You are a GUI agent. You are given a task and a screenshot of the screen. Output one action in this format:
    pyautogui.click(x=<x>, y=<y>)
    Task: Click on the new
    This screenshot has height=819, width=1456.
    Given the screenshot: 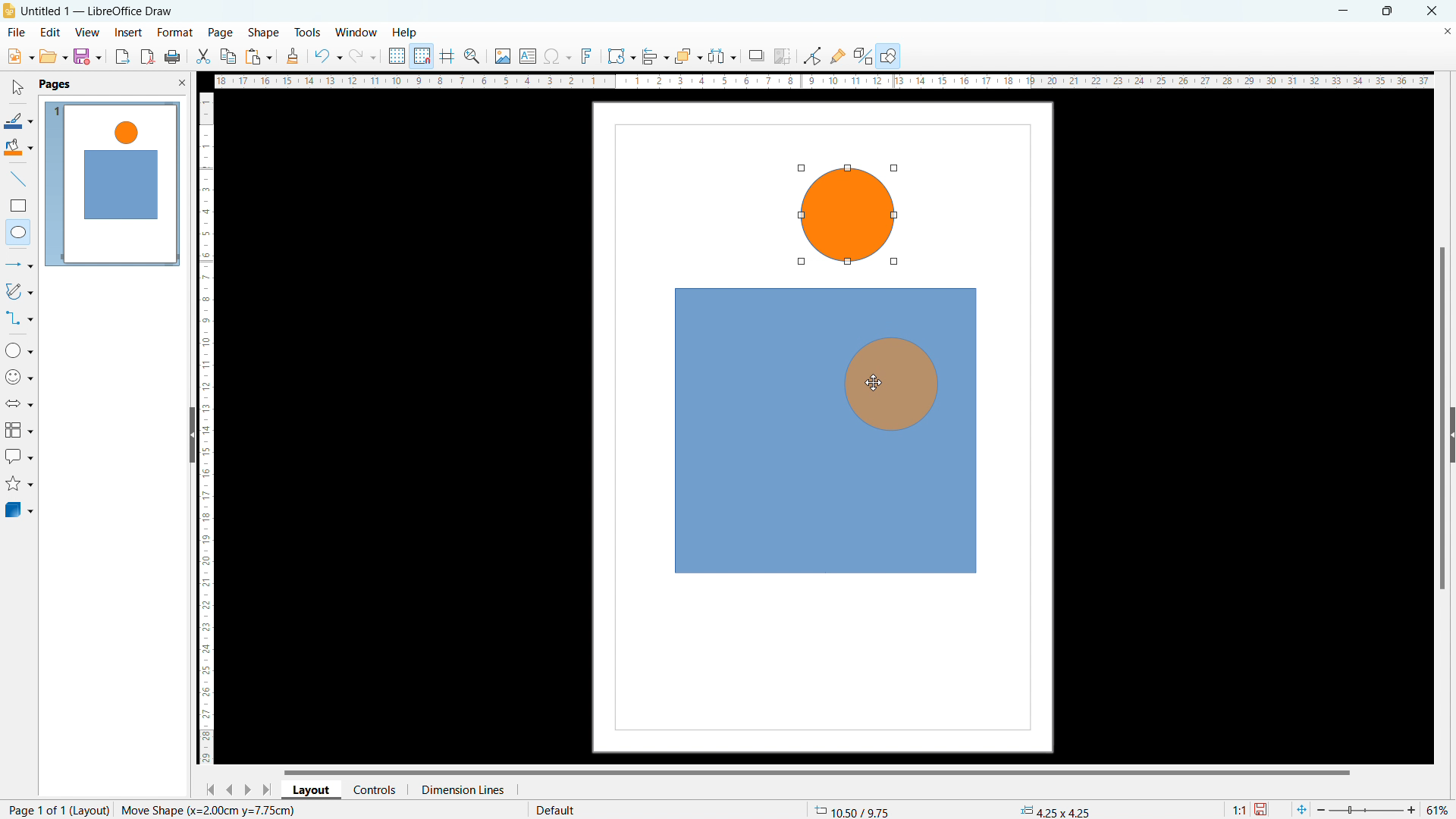 What is the action you would take?
    pyautogui.click(x=20, y=56)
    